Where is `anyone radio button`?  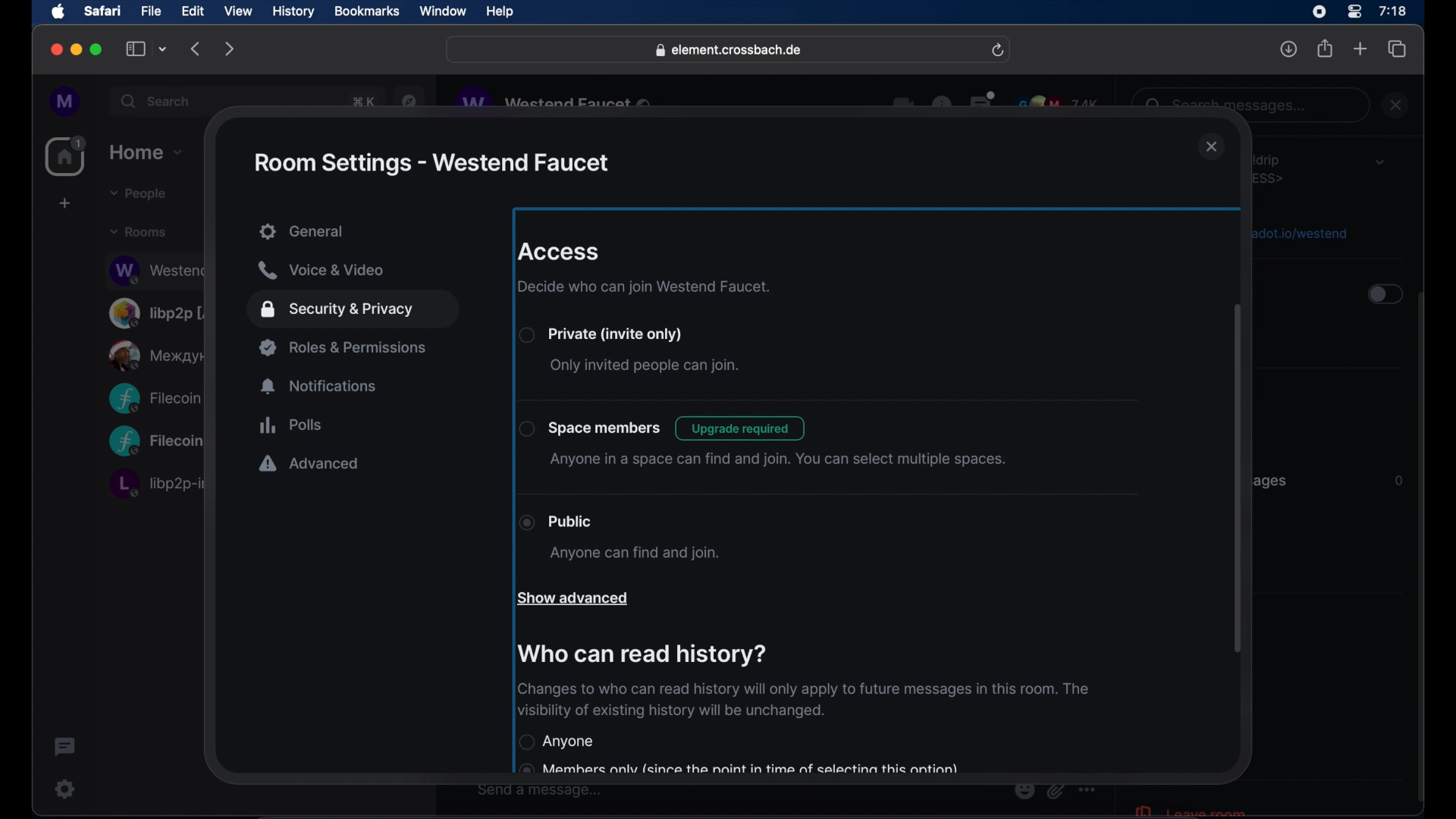 anyone radio button is located at coordinates (555, 742).